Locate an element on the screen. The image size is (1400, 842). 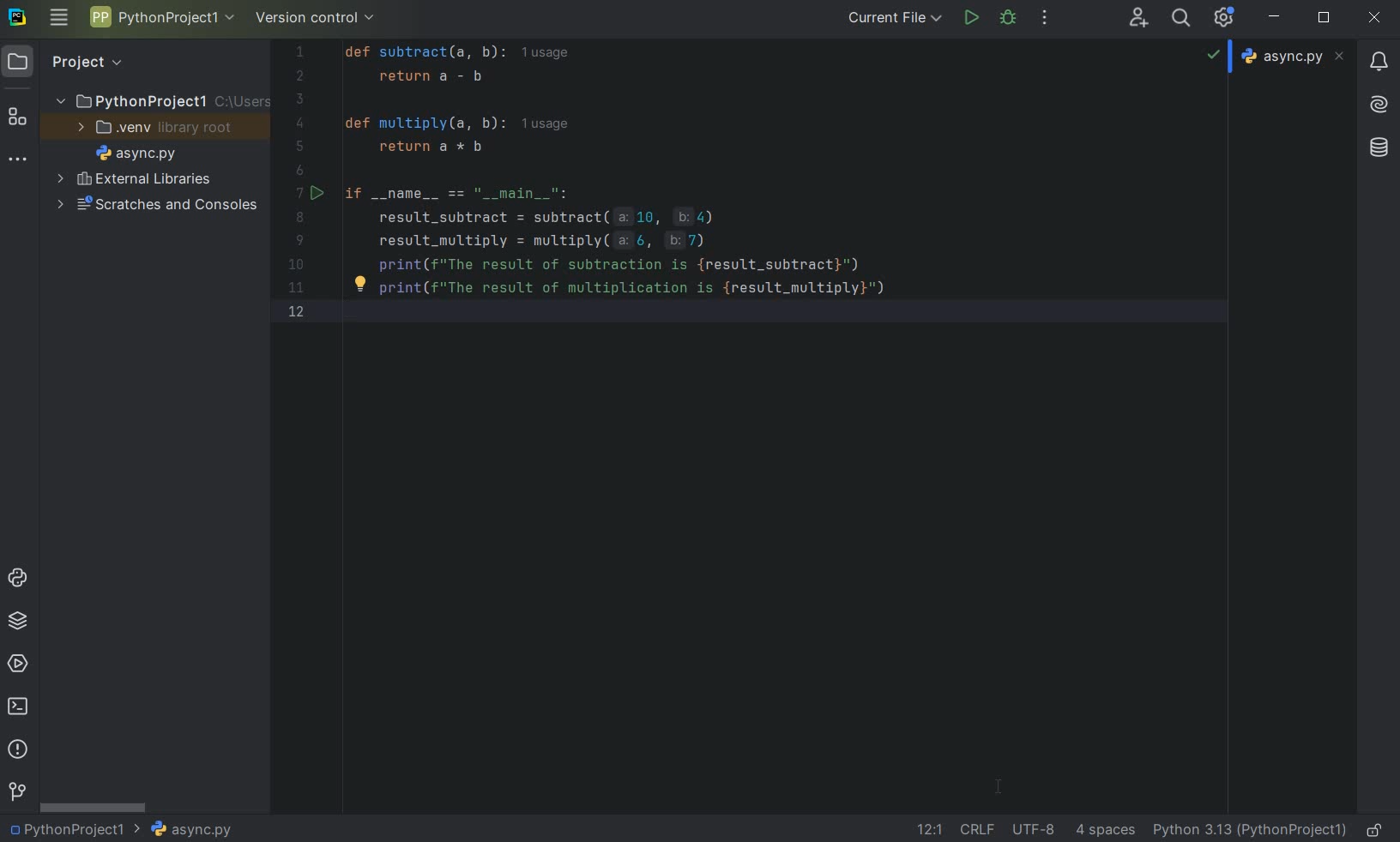
services is located at coordinates (19, 663).